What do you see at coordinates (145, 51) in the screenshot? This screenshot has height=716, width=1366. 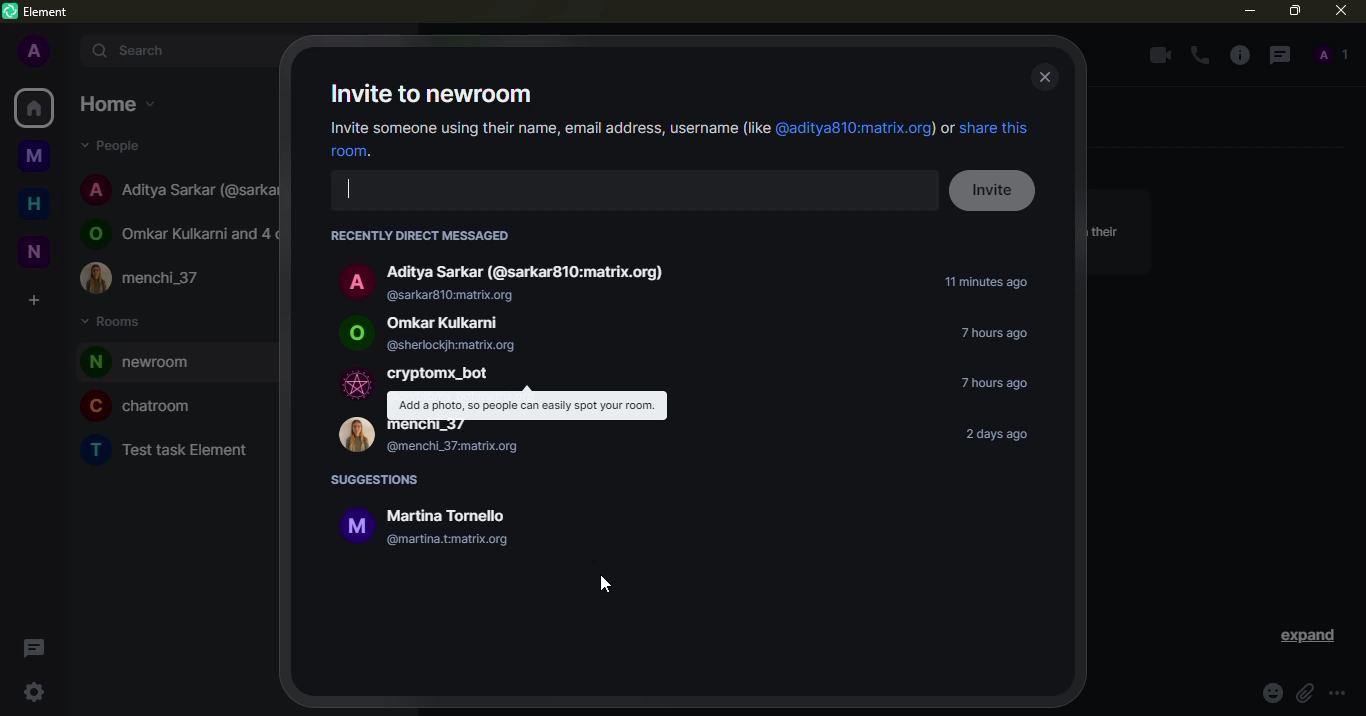 I see `search` at bounding box center [145, 51].